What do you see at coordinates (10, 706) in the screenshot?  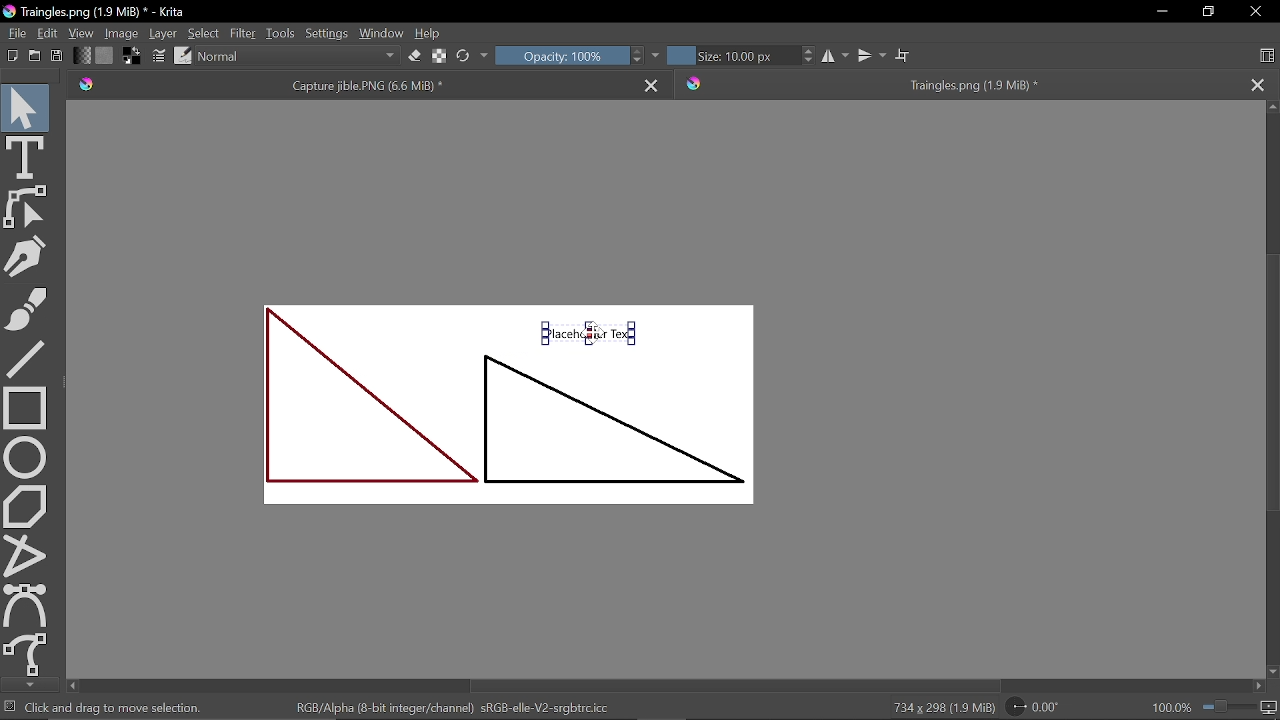 I see `No selection` at bounding box center [10, 706].